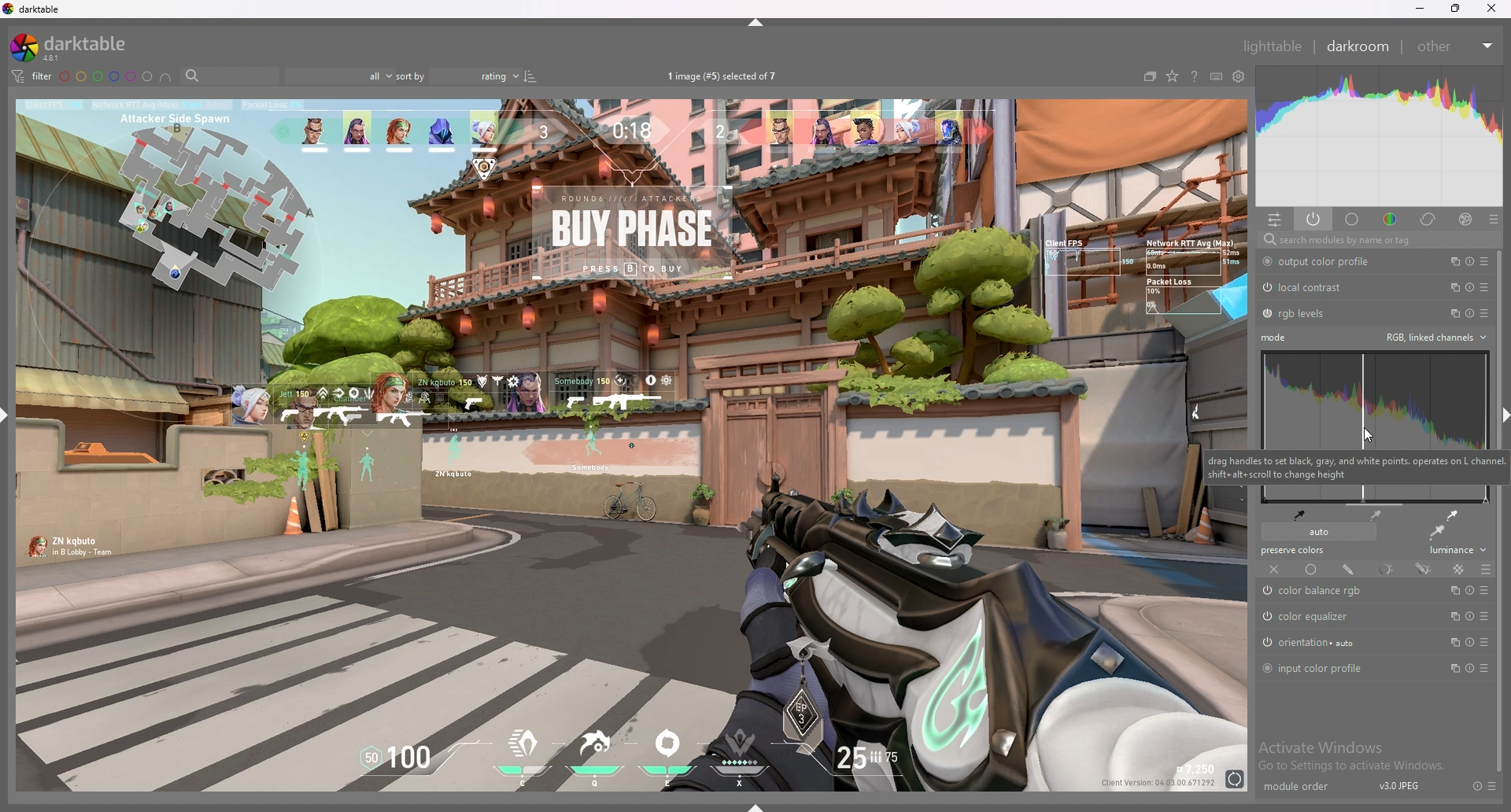 The width and height of the screenshot is (1511, 812). I want to click on minimize, so click(1420, 9).